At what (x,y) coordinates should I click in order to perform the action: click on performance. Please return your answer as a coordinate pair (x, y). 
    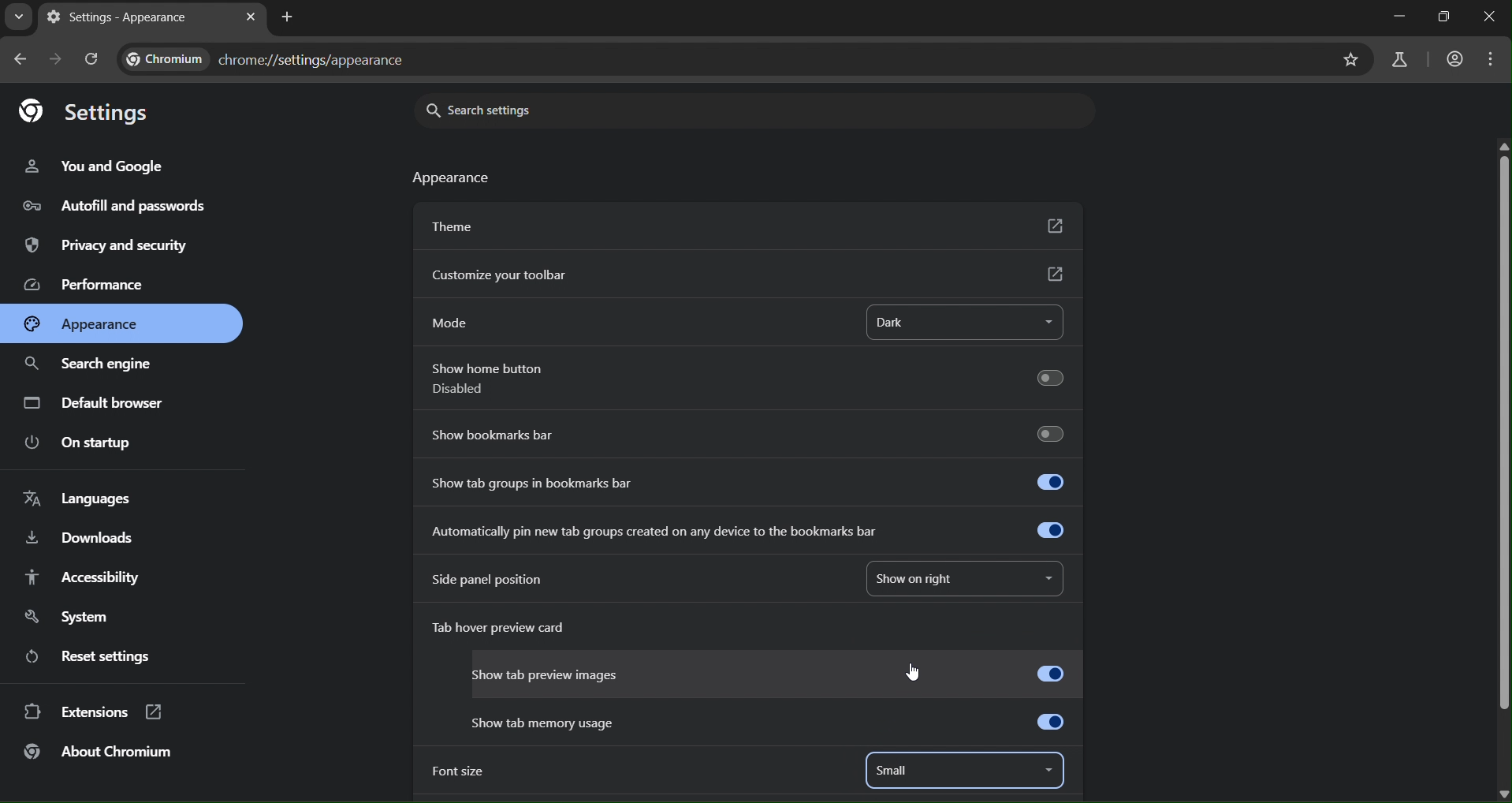
    Looking at the image, I should click on (84, 283).